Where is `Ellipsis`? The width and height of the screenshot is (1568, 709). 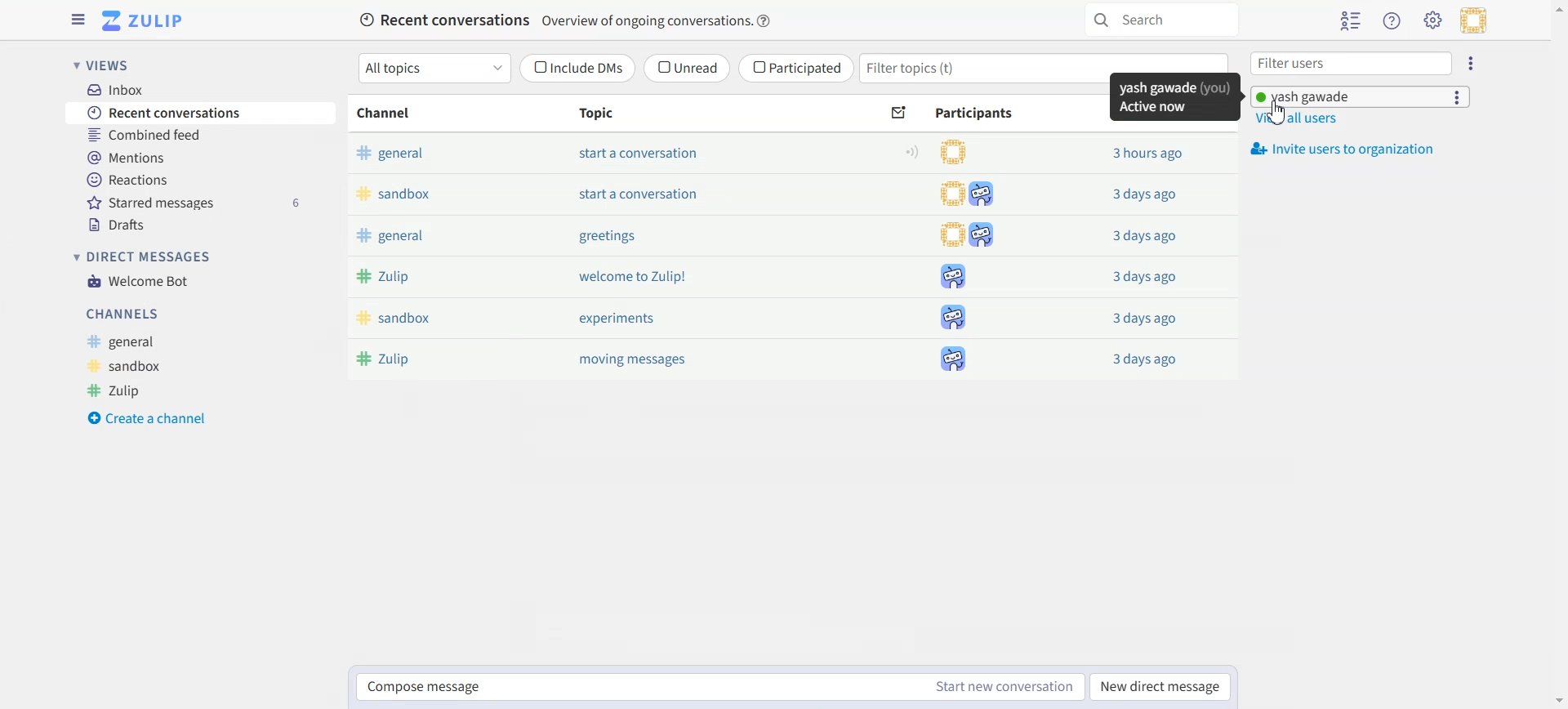
Ellipsis is located at coordinates (1468, 63).